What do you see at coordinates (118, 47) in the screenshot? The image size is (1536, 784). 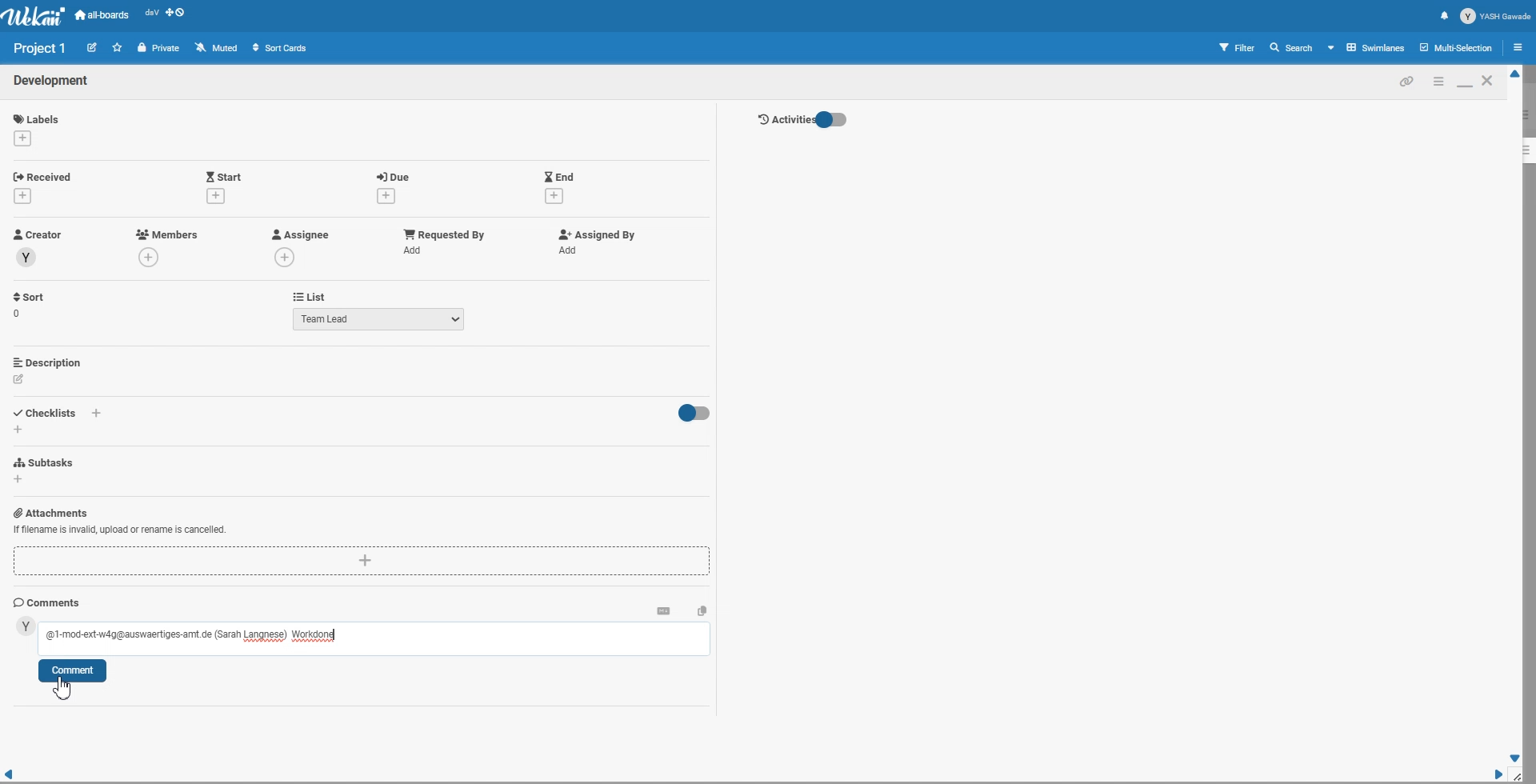 I see `Click to star this board` at bounding box center [118, 47].